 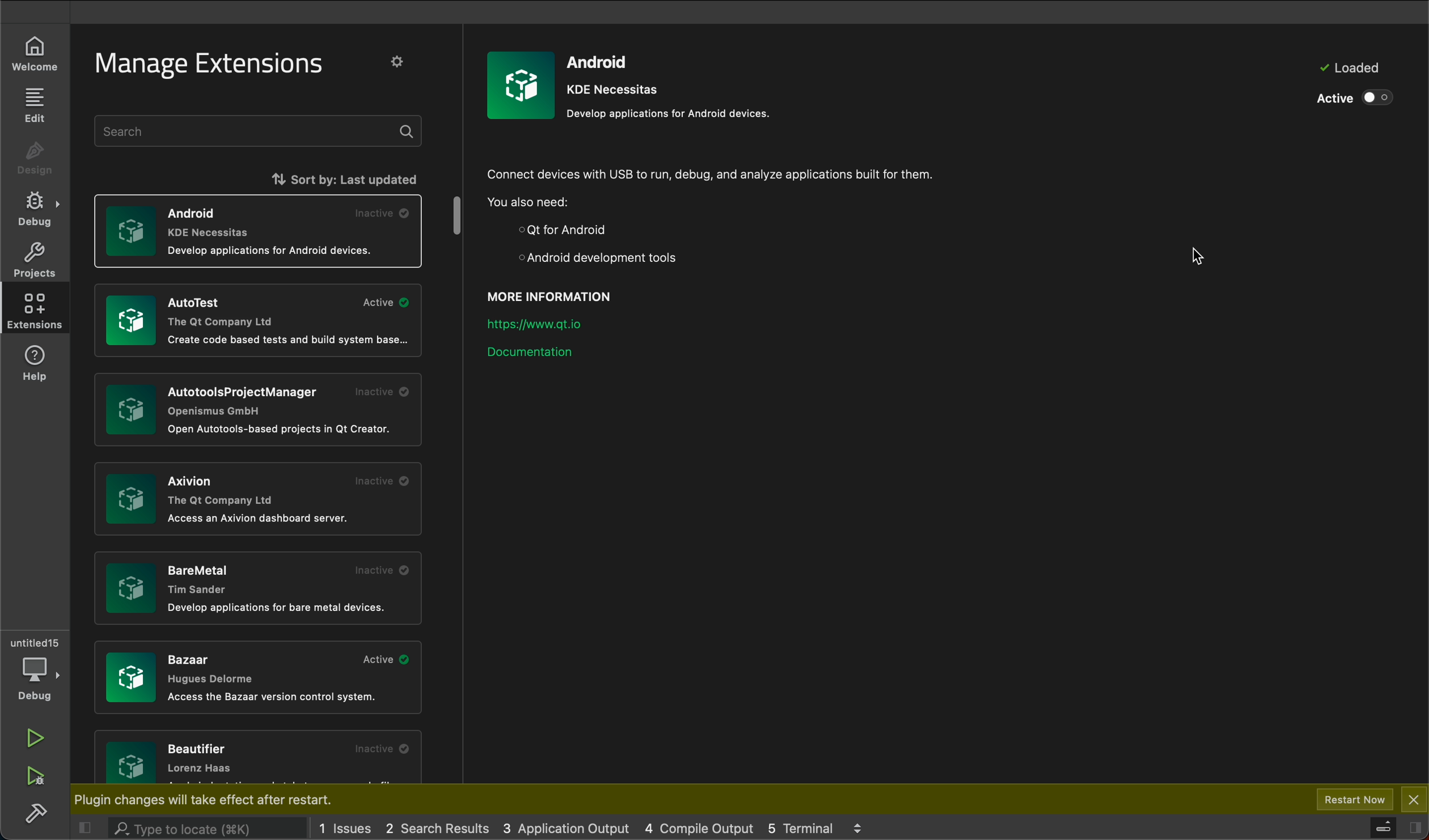 What do you see at coordinates (1413, 829) in the screenshot?
I see `open sidebar` at bounding box center [1413, 829].